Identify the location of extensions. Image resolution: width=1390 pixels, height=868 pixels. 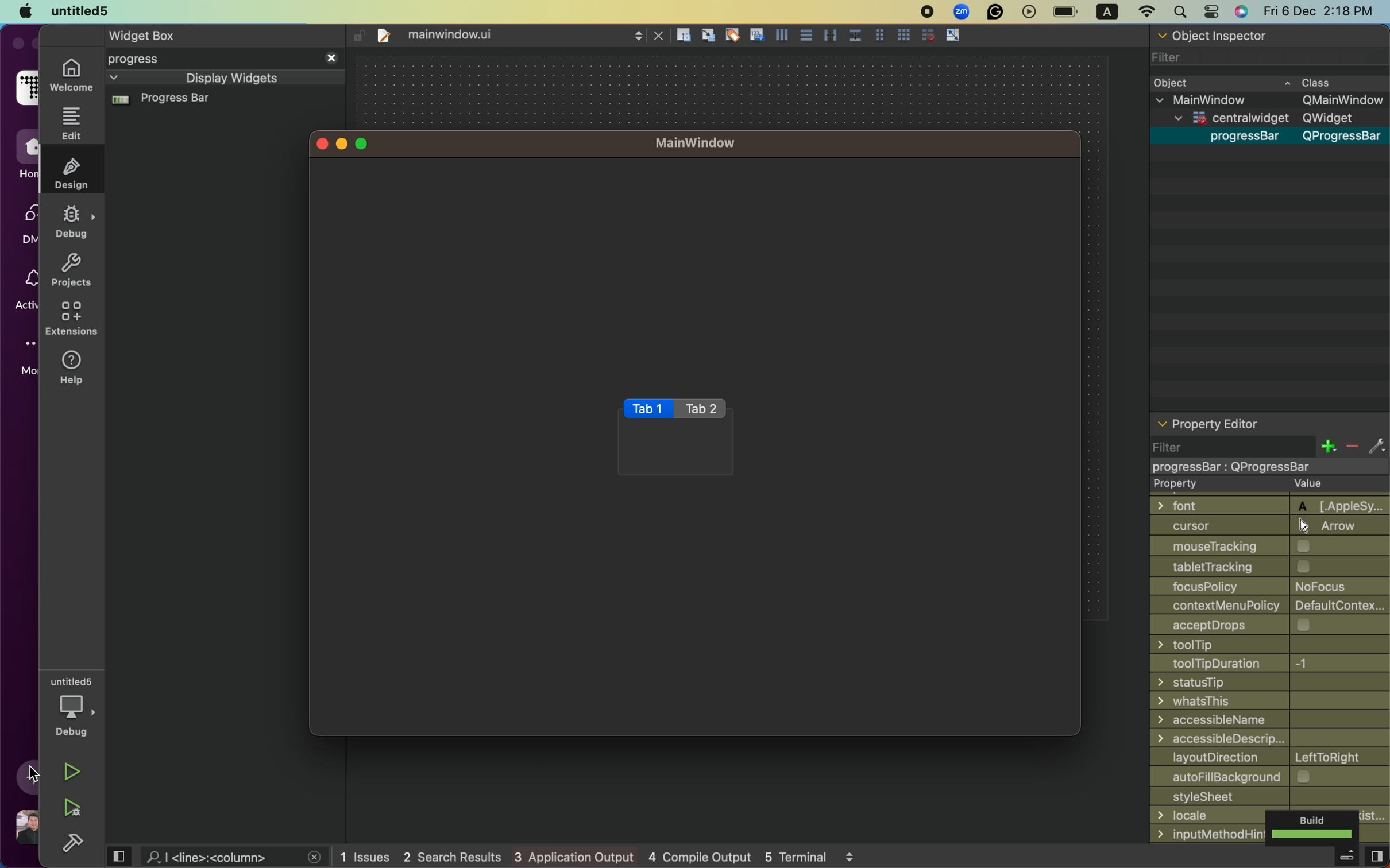
(72, 322).